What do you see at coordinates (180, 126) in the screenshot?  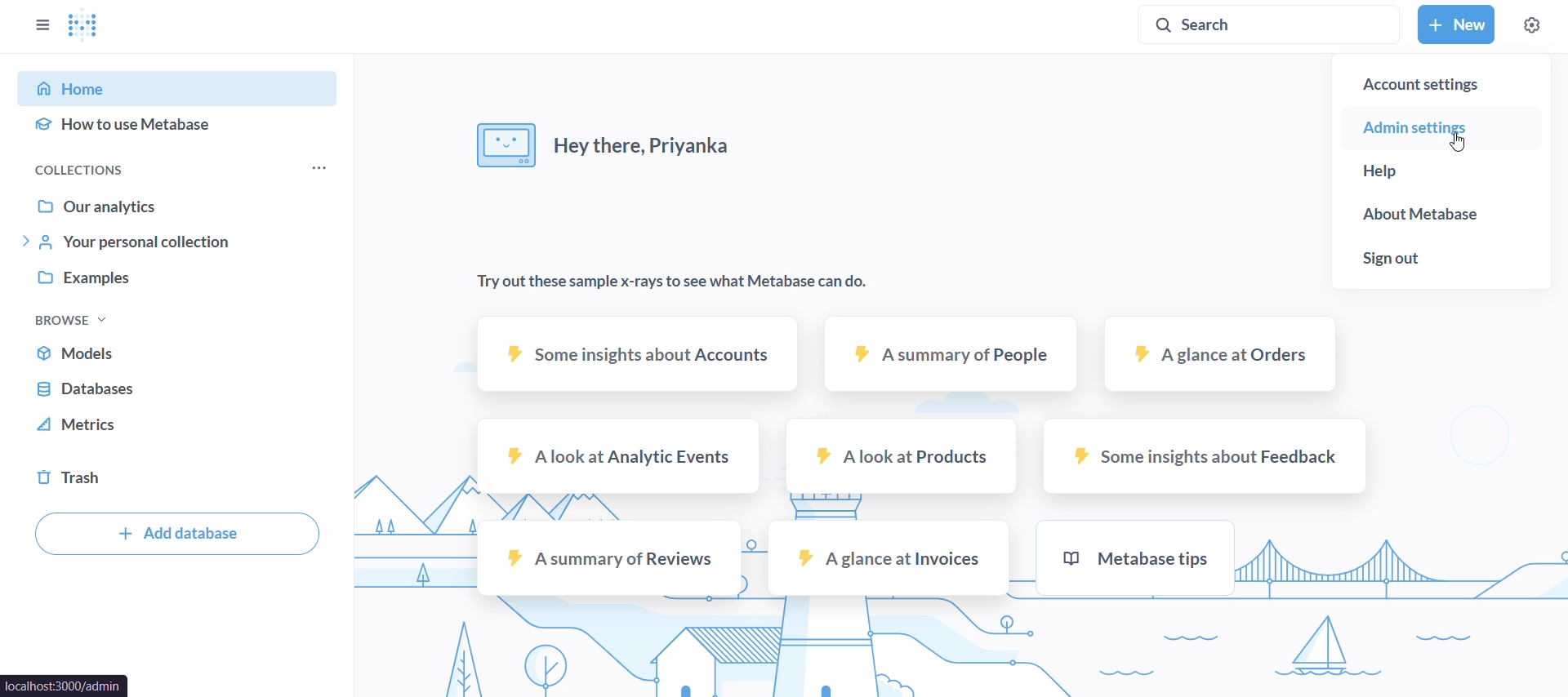 I see `how to use metabase` at bounding box center [180, 126].